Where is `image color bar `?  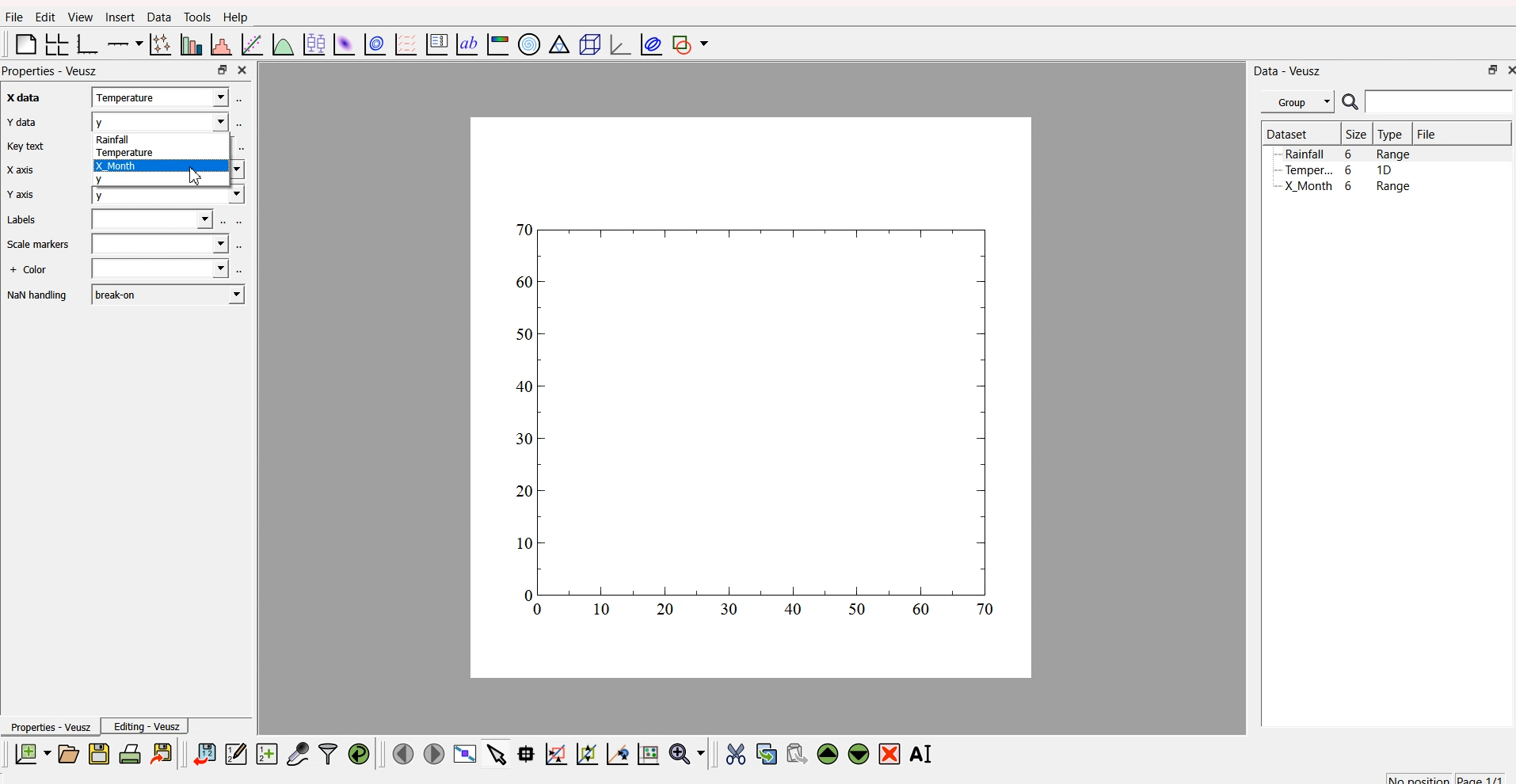
image color bar  is located at coordinates (497, 44).